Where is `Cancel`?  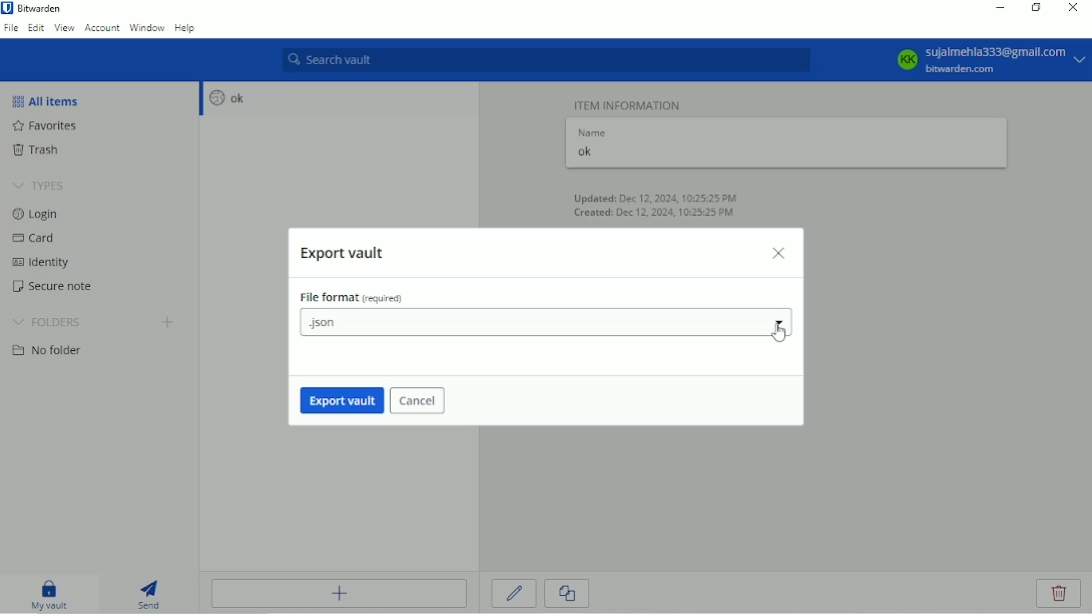 Cancel is located at coordinates (418, 402).